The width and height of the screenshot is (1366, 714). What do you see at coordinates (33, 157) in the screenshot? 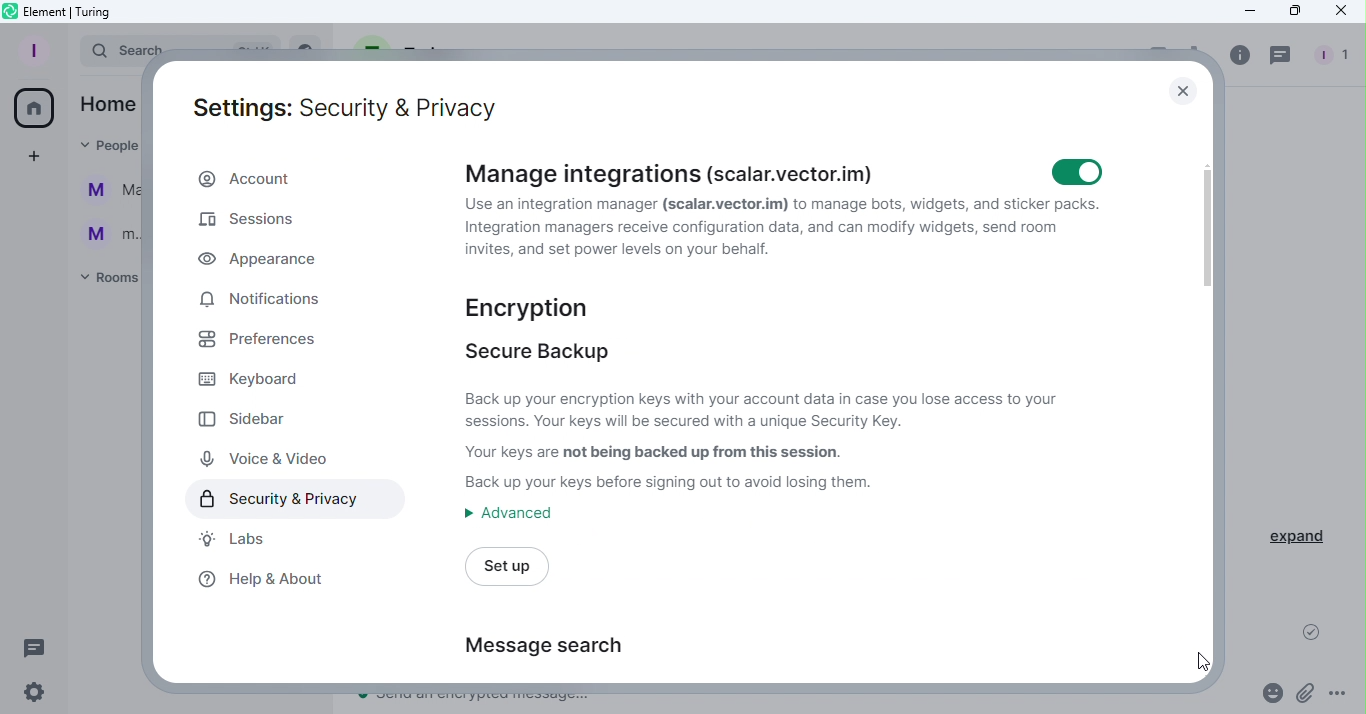
I see `Create a space` at bounding box center [33, 157].